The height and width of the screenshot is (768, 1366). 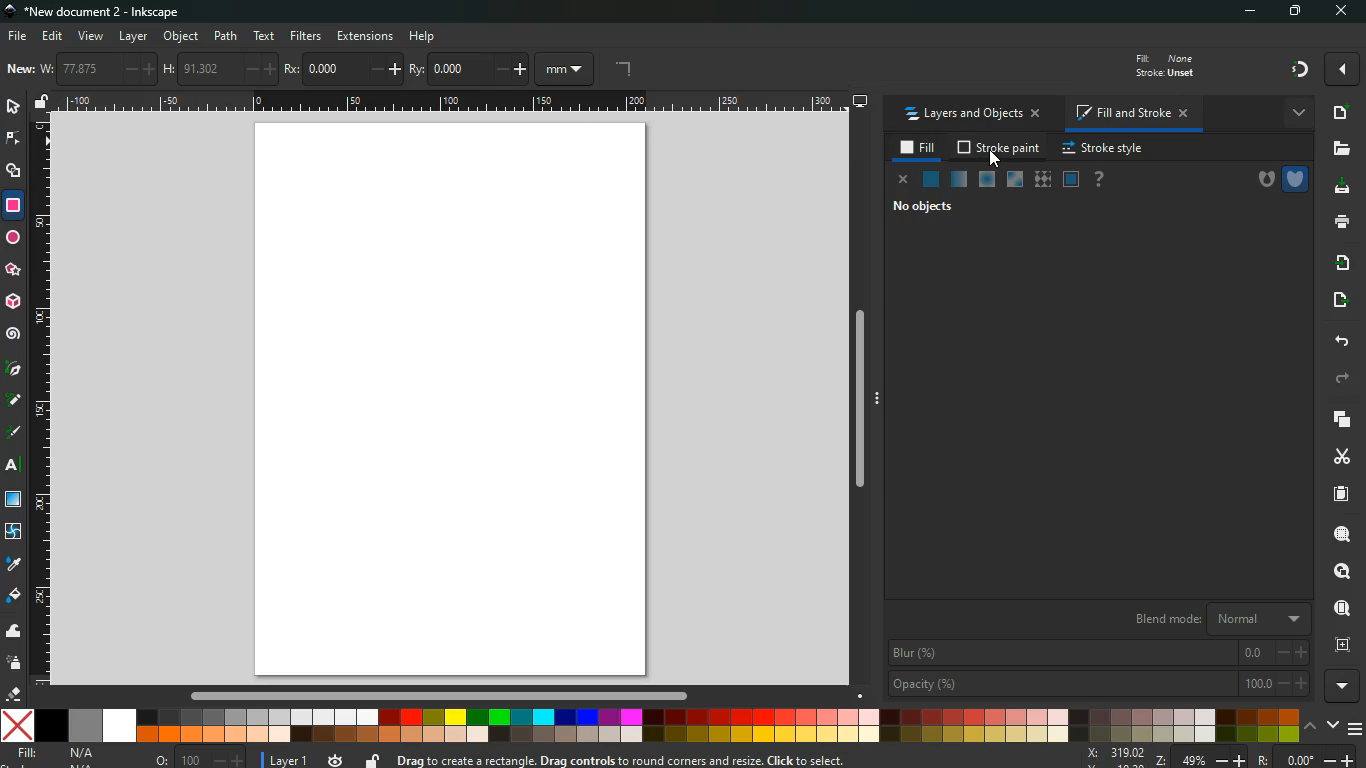 I want to click on opacity, so click(x=958, y=180).